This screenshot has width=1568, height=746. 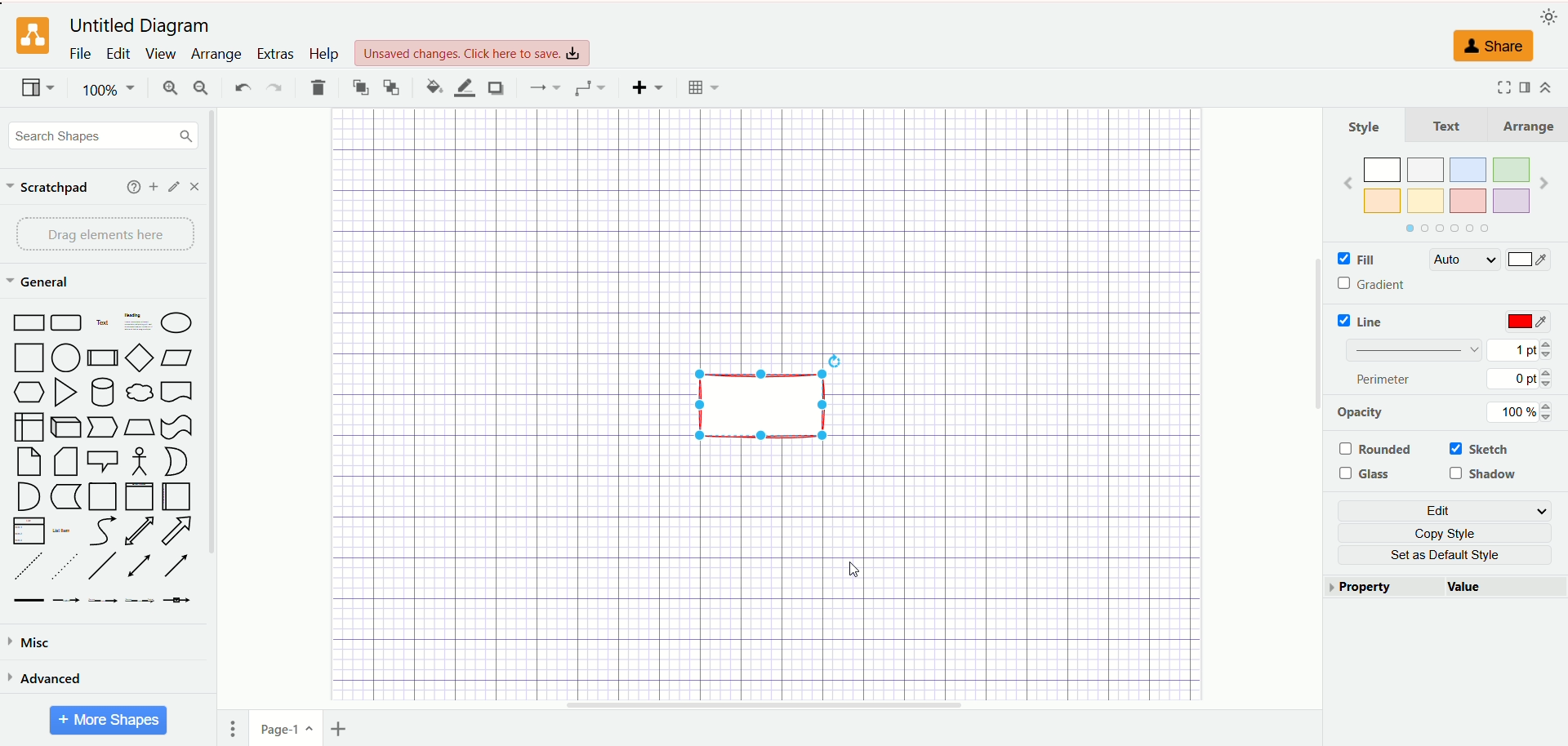 I want to click on opacity, so click(x=1360, y=414).